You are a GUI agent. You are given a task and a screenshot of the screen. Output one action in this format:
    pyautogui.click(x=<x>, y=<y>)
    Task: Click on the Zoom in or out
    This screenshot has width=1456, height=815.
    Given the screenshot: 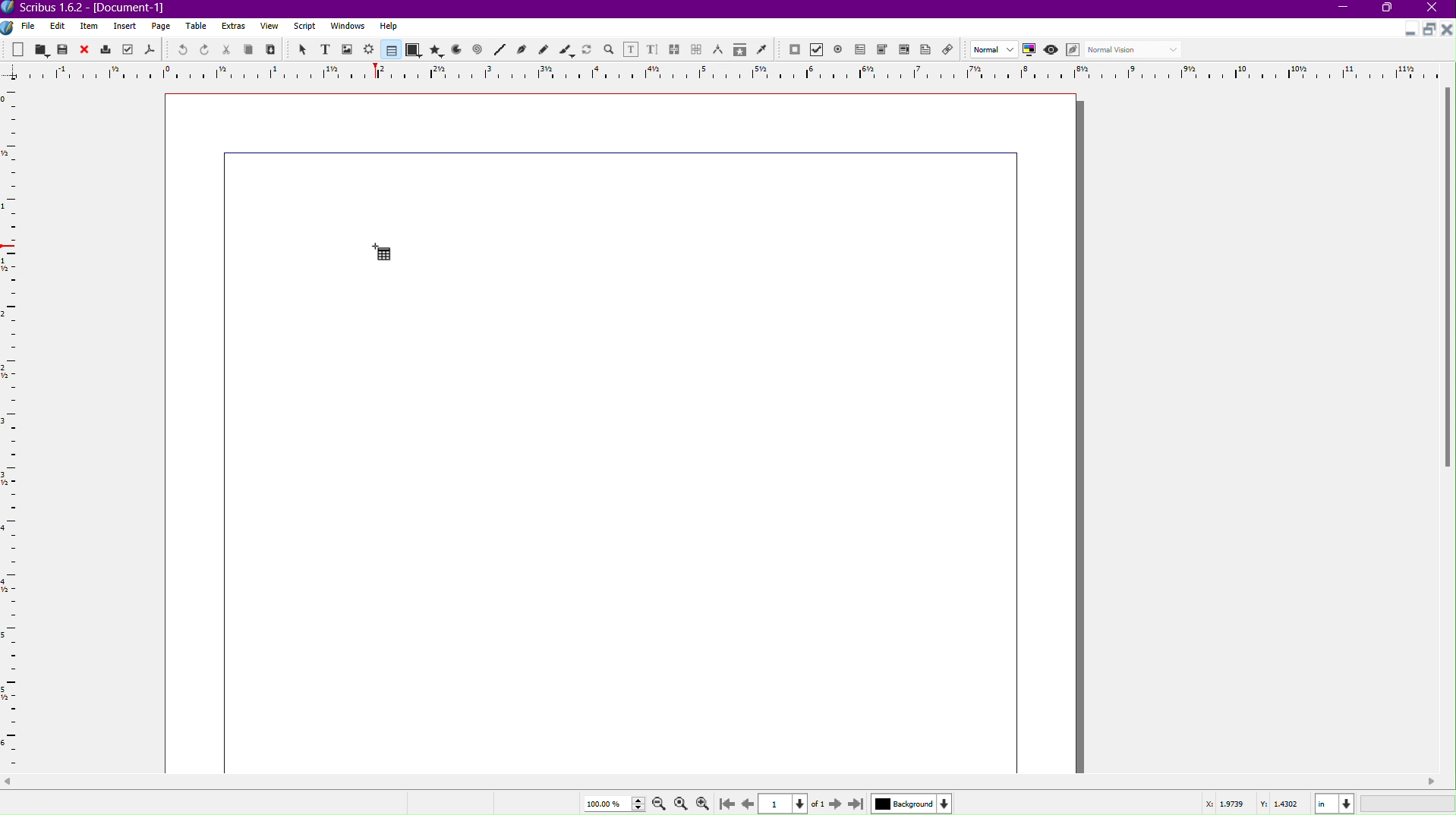 What is the action you would take?
    pyautogui.click(x=609, y=49)
    